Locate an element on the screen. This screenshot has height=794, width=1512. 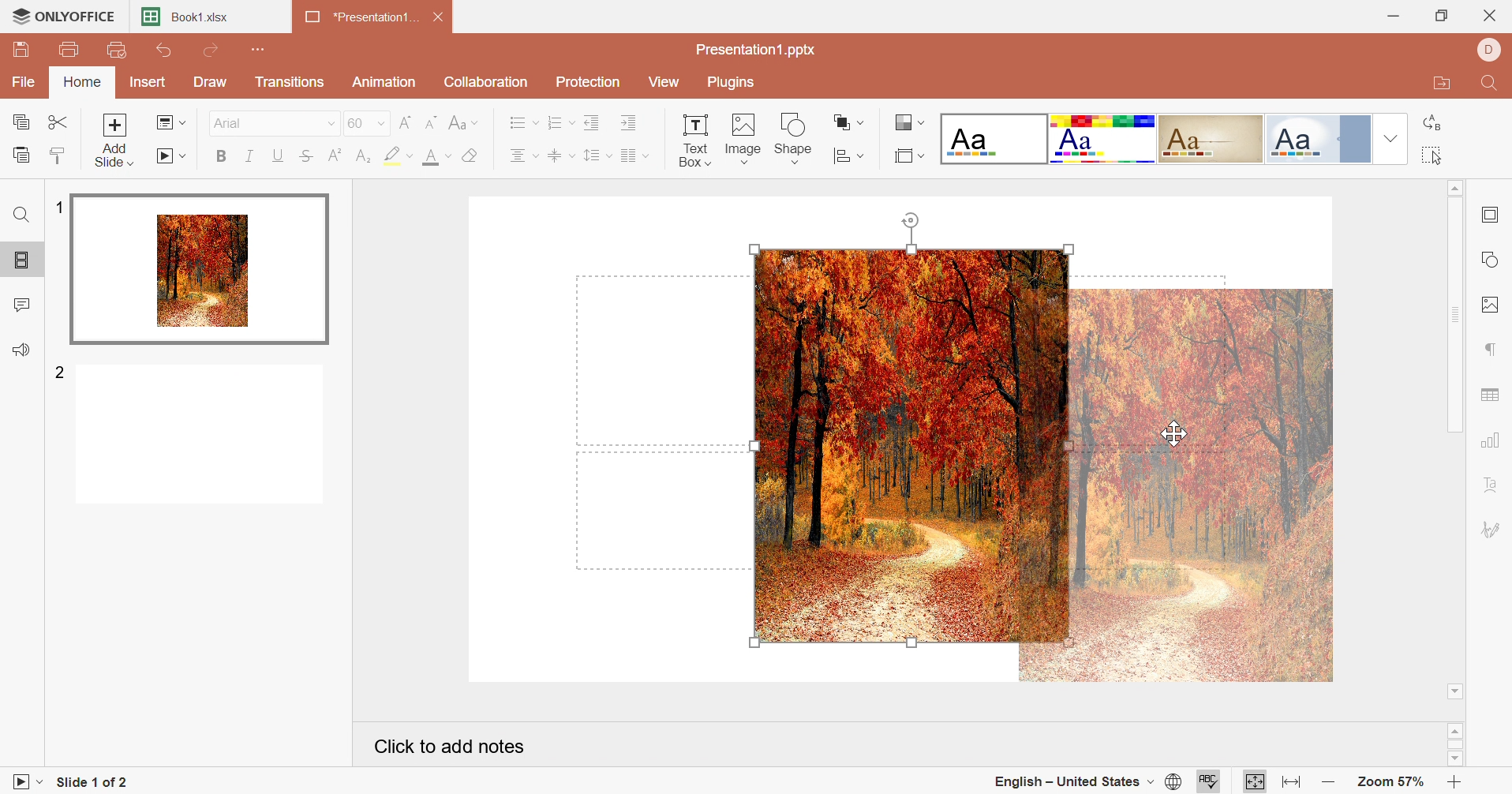
Open file location is located at coordinates (1438, 86).